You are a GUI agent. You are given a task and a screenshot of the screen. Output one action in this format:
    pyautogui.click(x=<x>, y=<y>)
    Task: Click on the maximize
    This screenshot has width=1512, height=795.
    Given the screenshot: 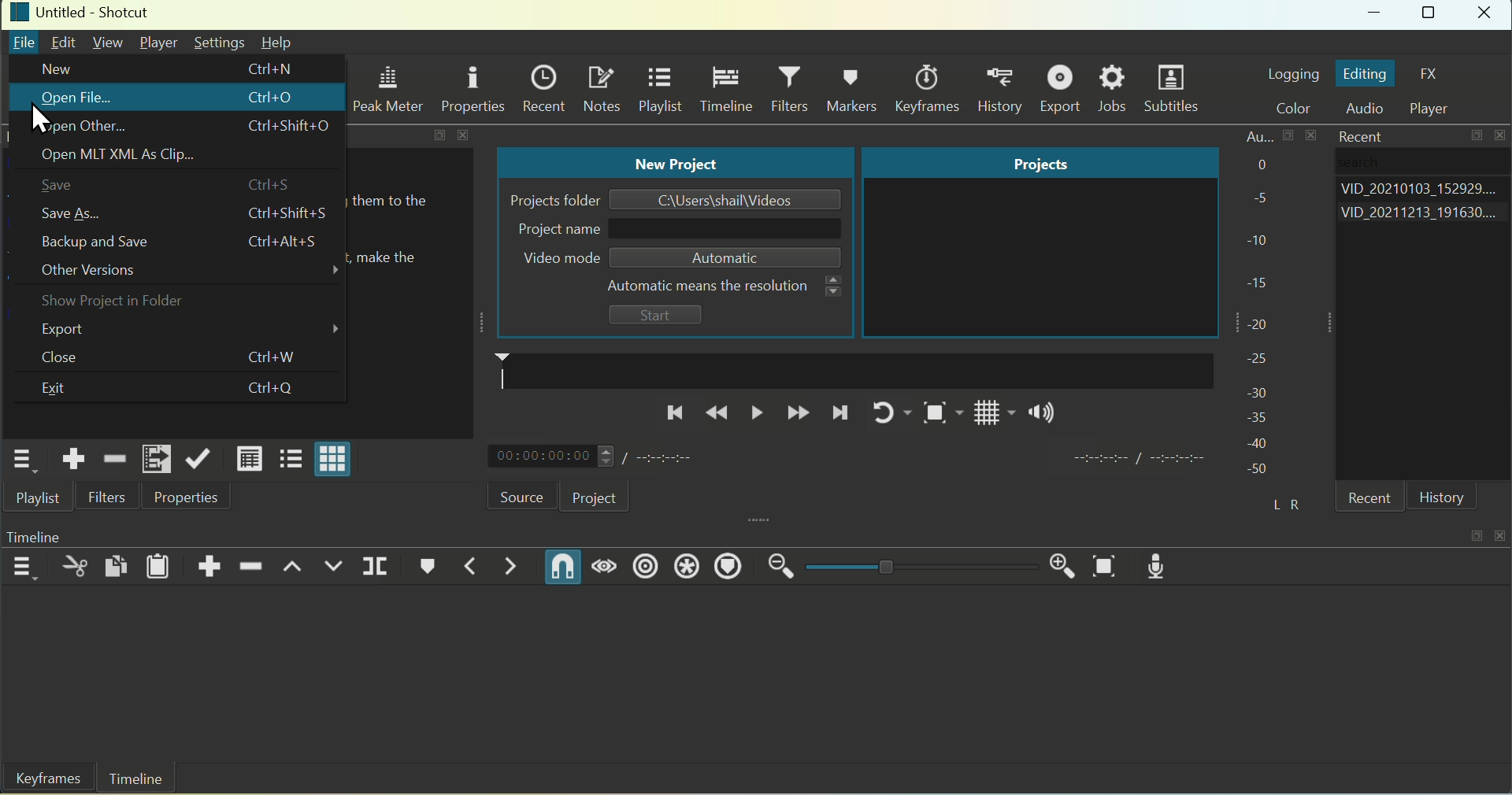 What is the action you would take?
    pyautogui.click(x=1475, y=534)
    